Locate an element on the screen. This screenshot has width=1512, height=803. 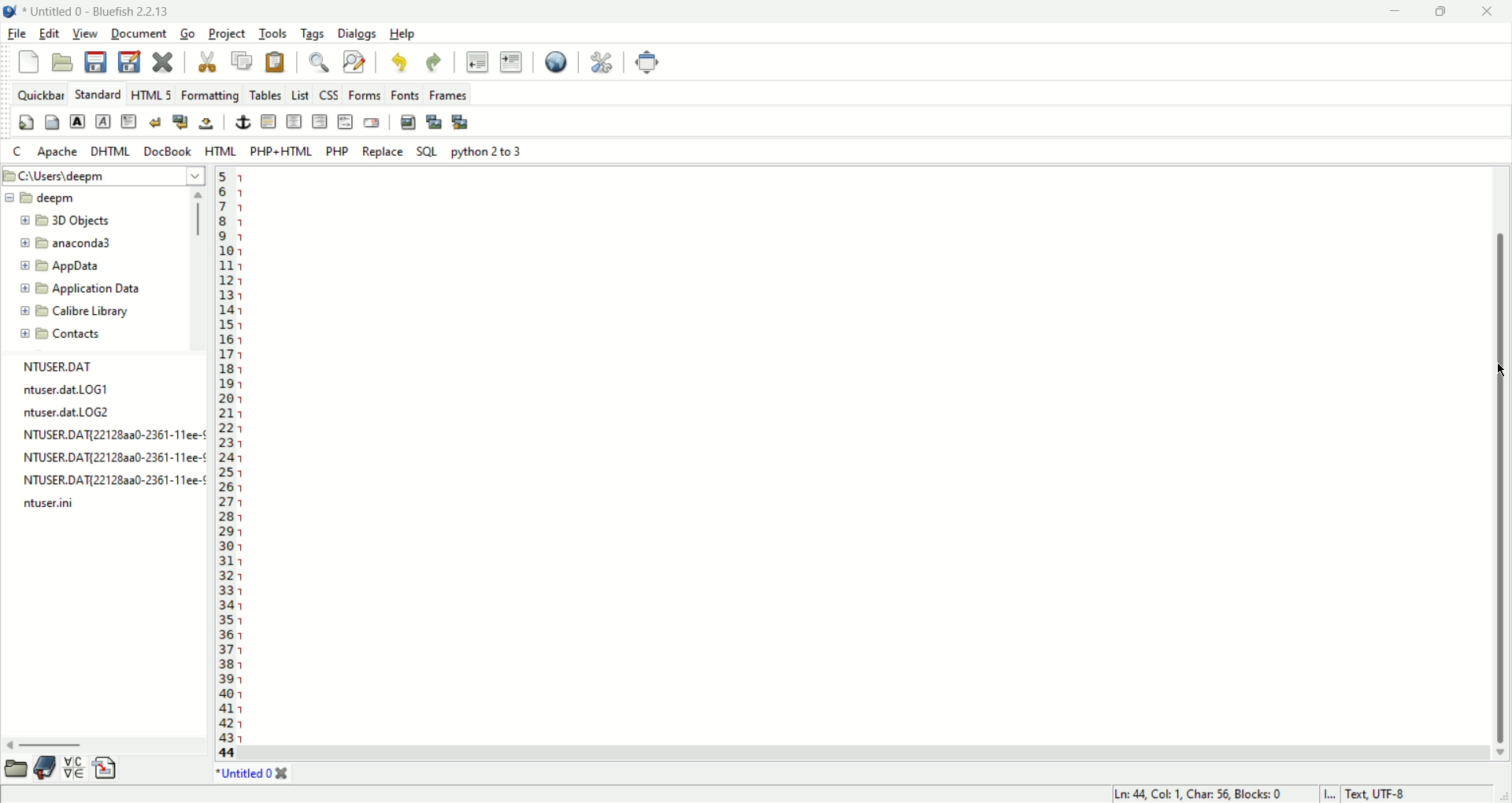
bookmarks is located at coordinates (46, 767).